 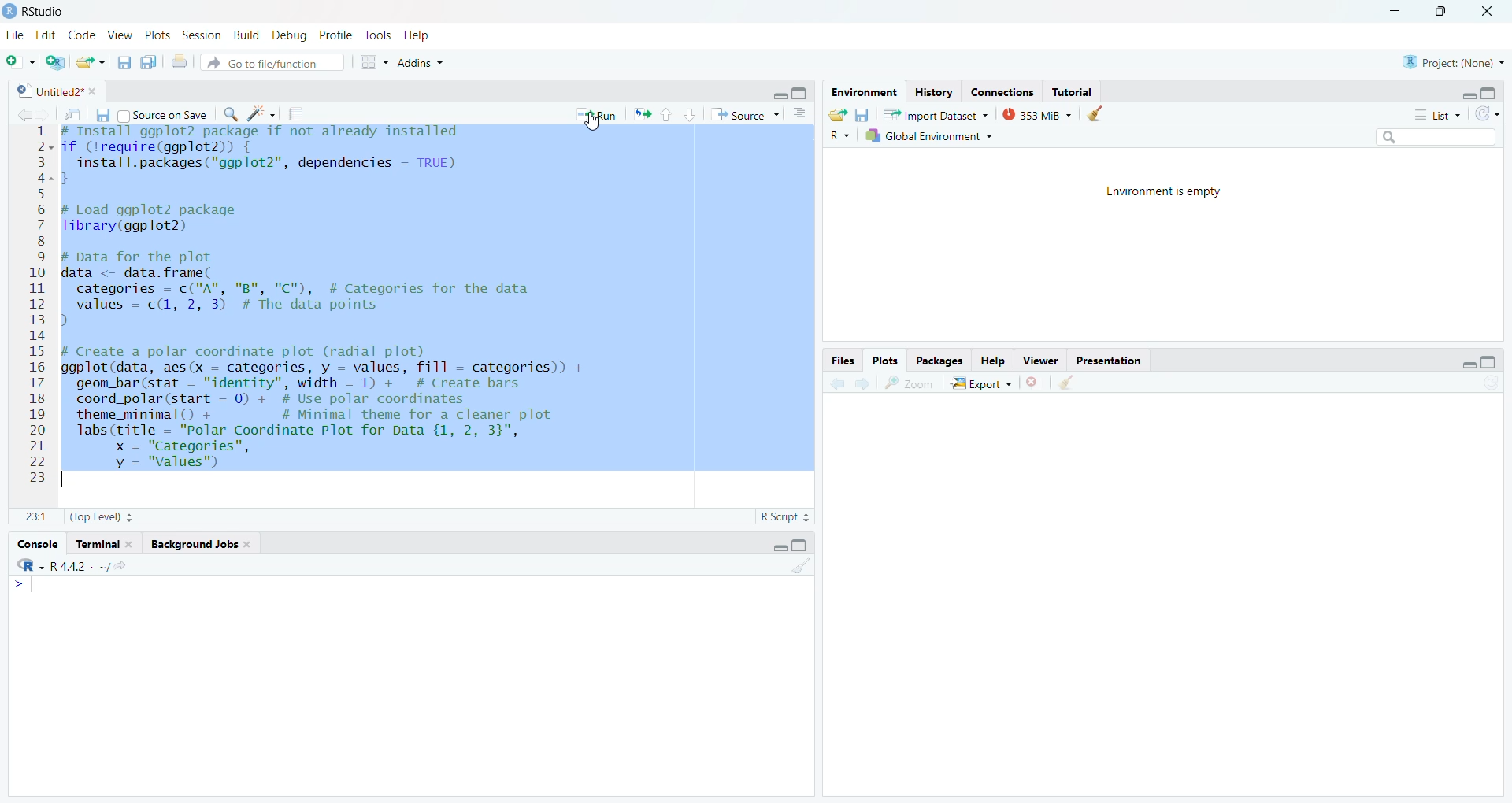 What do you see at coordinates (200, 546) in the screenshot?
I see `‘Background Jobs` at bounding box center [200, 546].